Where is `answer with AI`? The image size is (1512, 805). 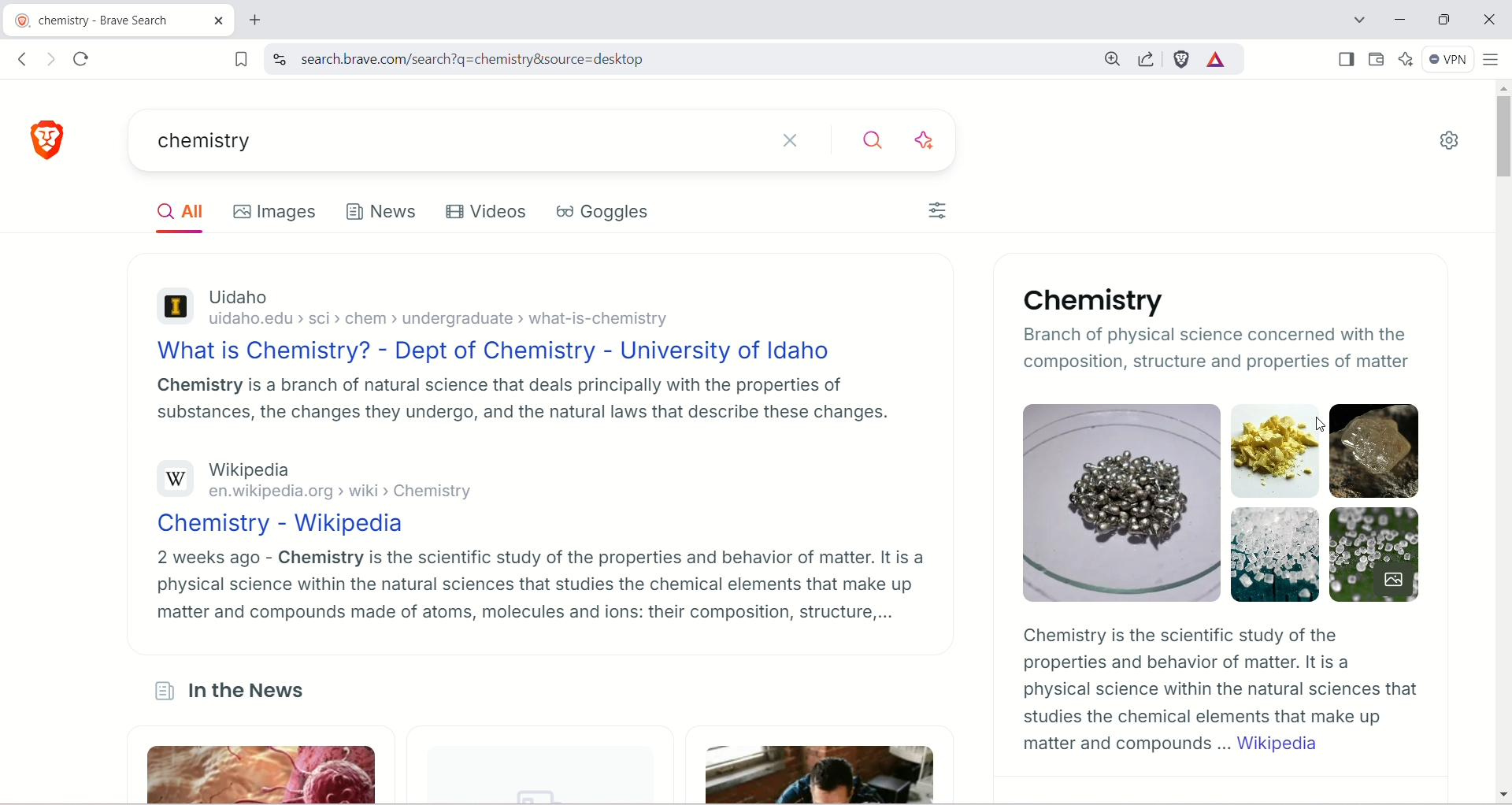 answer with AI is located at coordinates (925, 138).